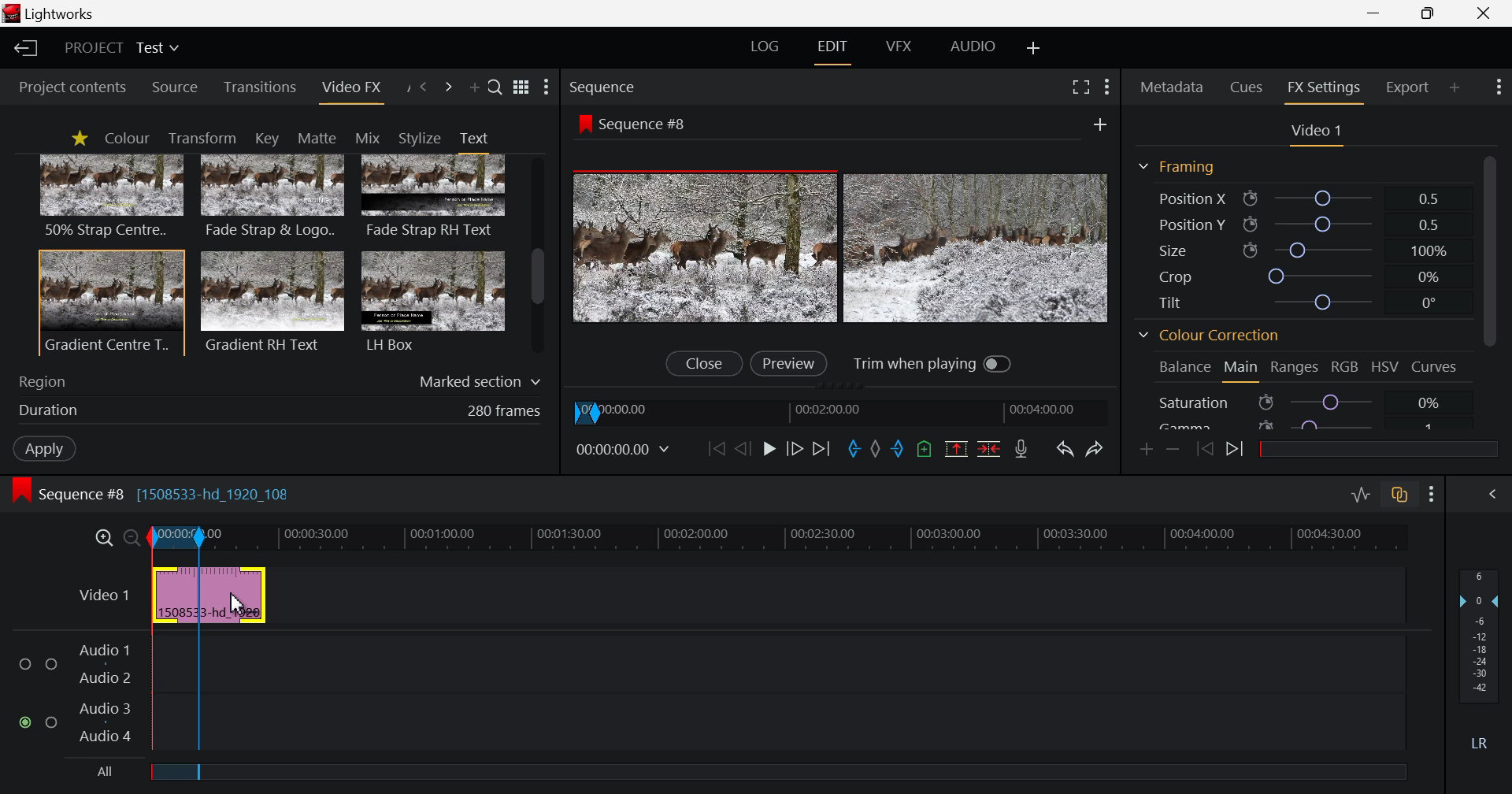  I want to click on Toggle between list and title views, so click(523, 87).